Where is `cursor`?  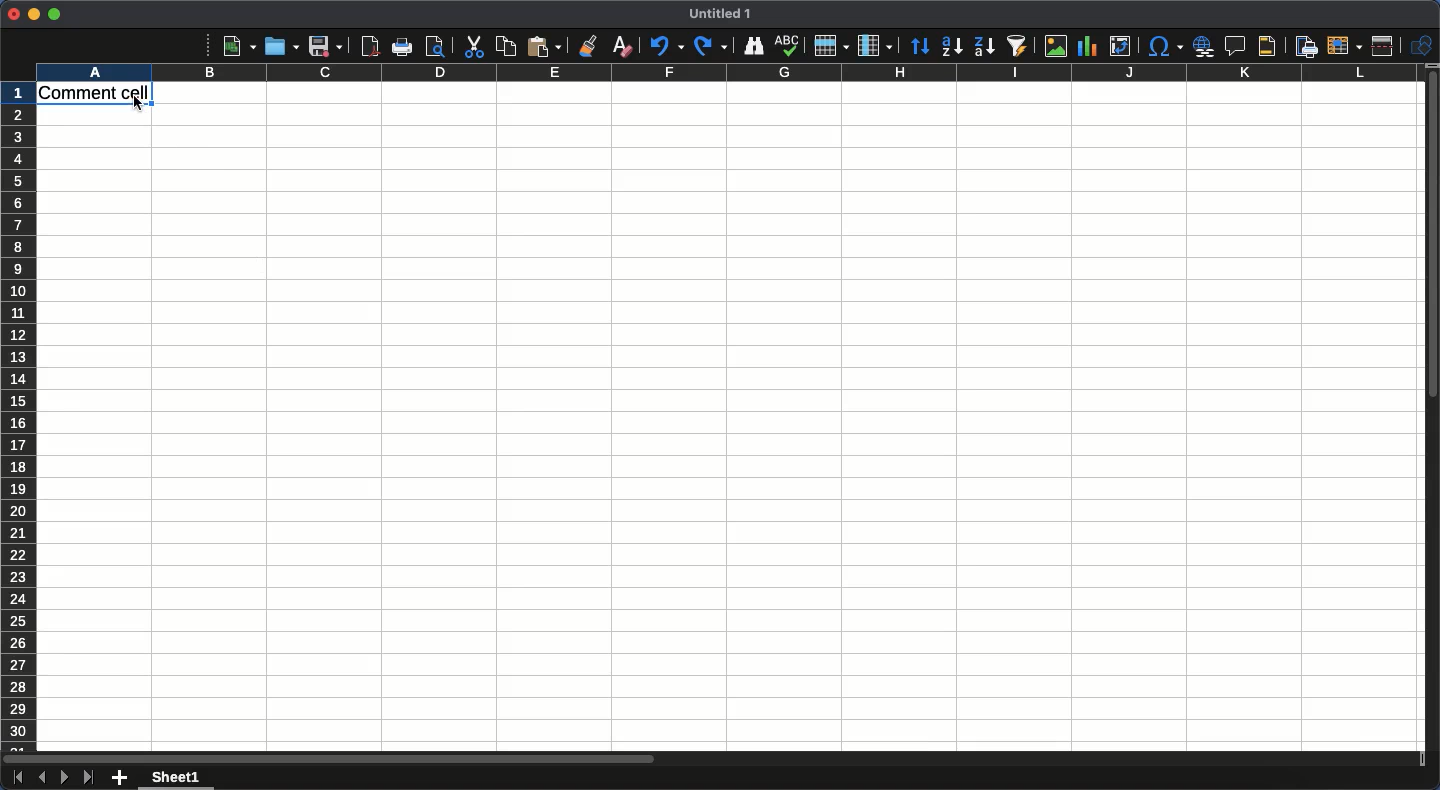
cursor is located at coordinates (144, 107).